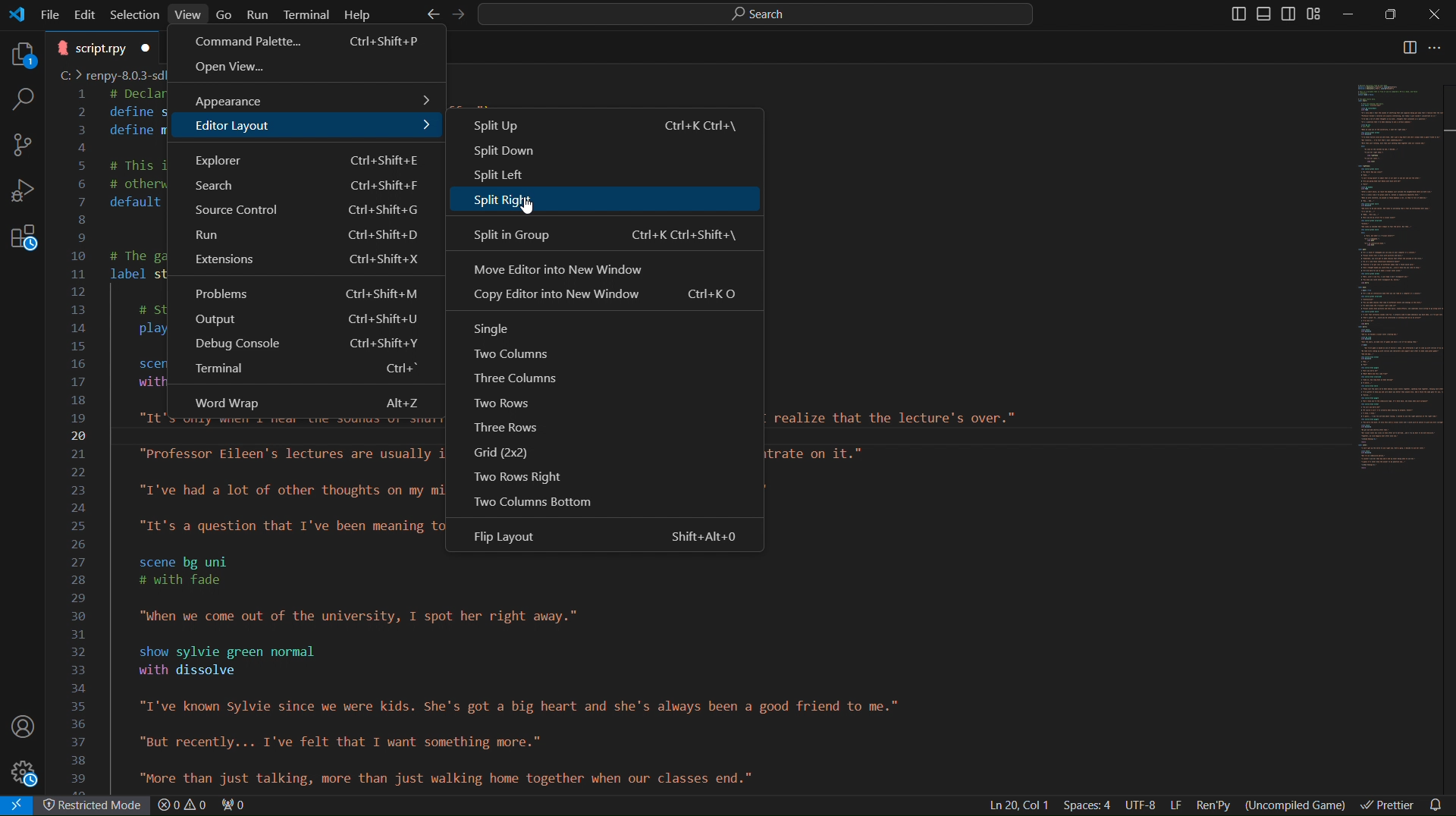 The height and width of the screenshot is (816, 1456). I want to click on Word Wrap   alt+Z, so click(304, 400).